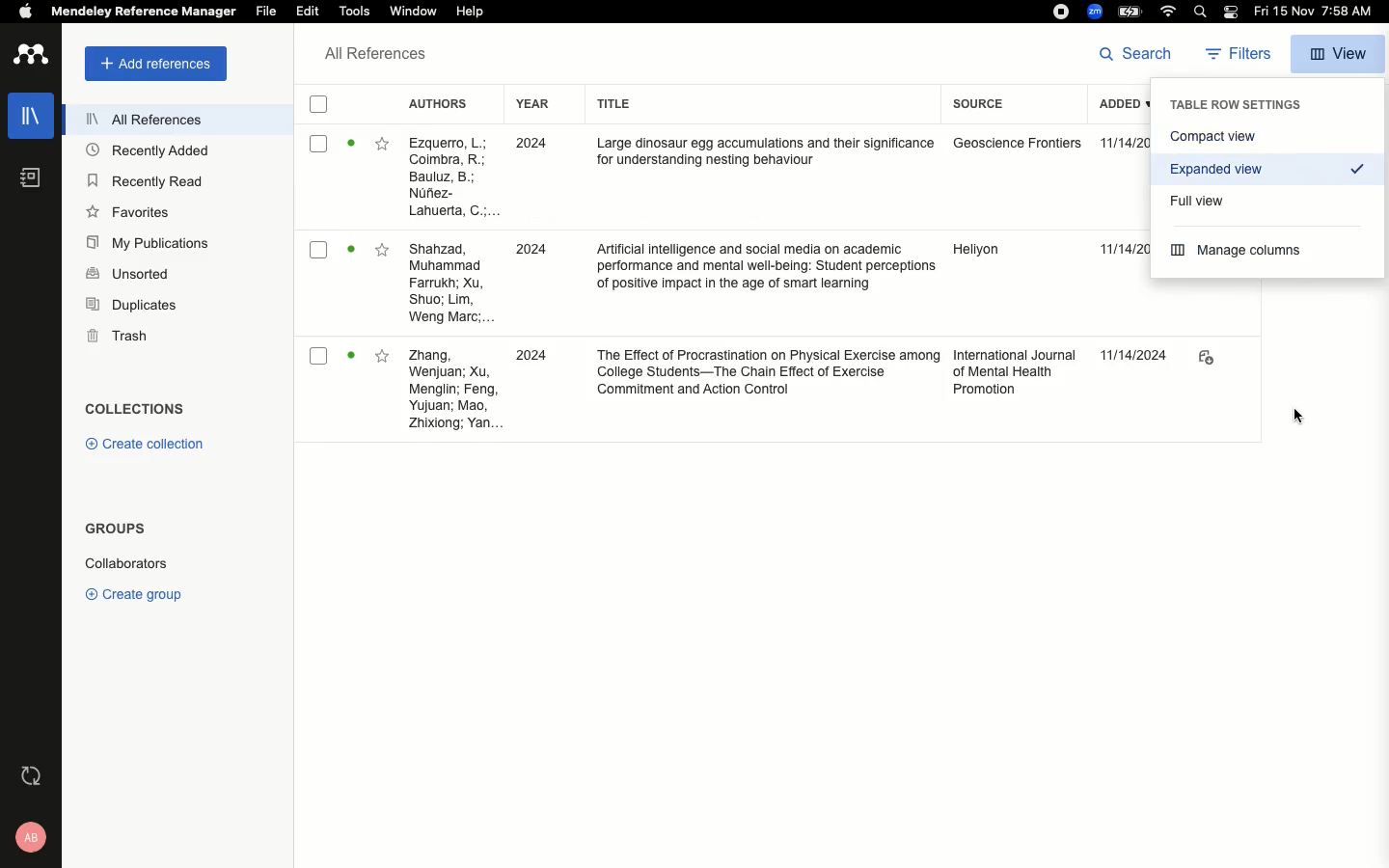  I want to click on Notebook, so click(28, 181).